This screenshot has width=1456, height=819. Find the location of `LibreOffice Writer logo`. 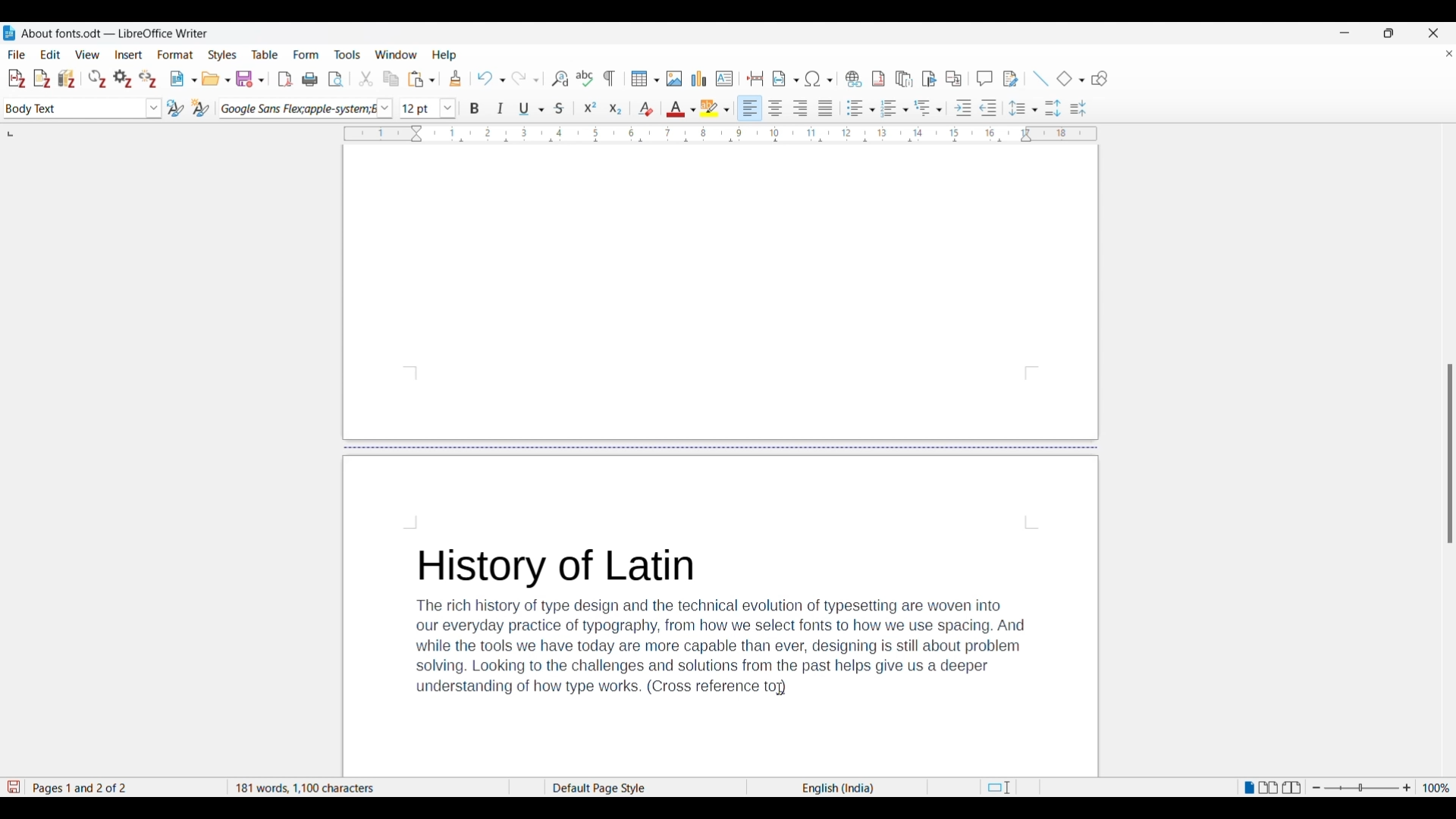

LibreOffice Writer logo is located at coordinates (9, 33).